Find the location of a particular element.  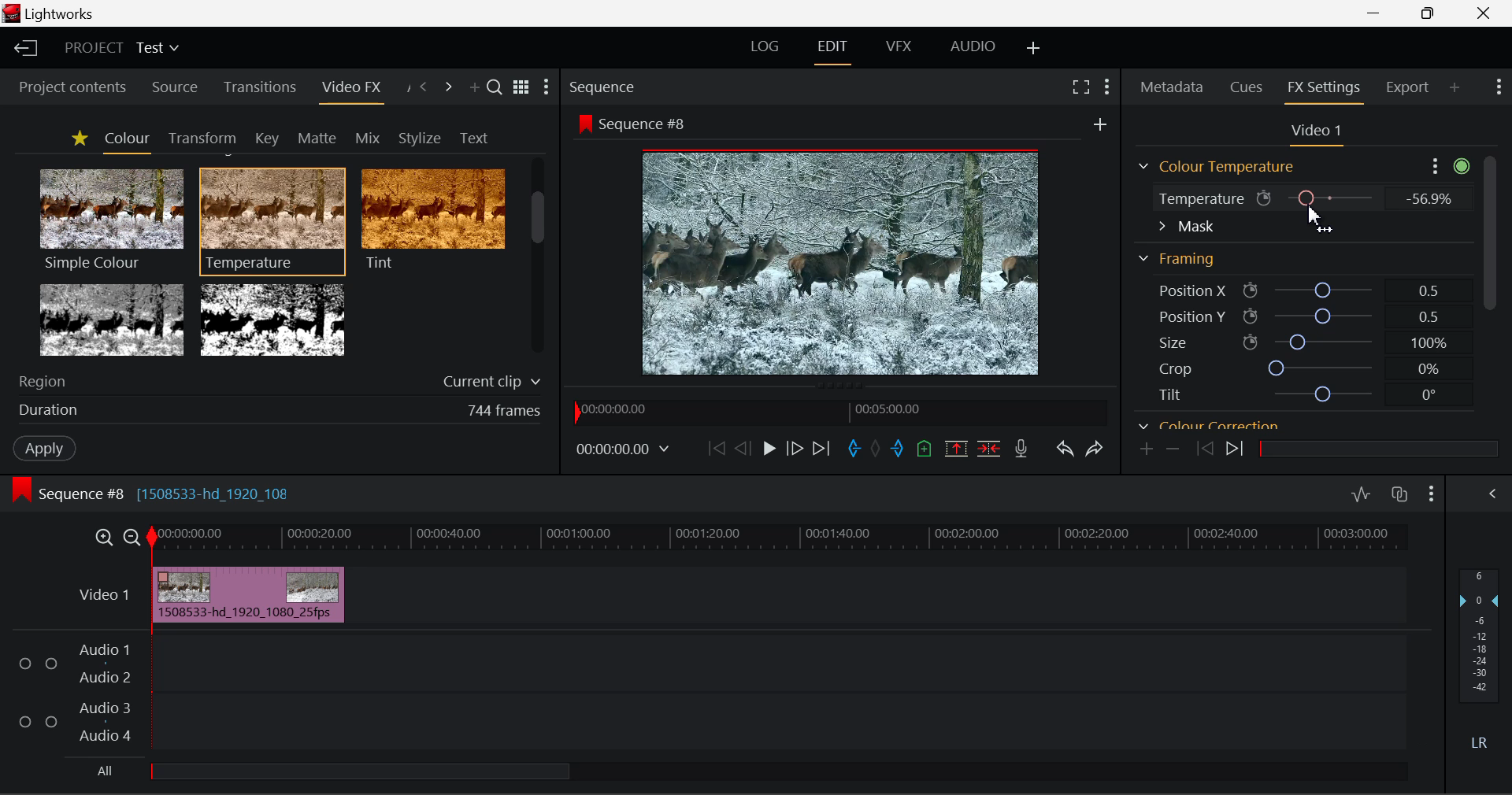

100% is located at coordinates (1429, 345).